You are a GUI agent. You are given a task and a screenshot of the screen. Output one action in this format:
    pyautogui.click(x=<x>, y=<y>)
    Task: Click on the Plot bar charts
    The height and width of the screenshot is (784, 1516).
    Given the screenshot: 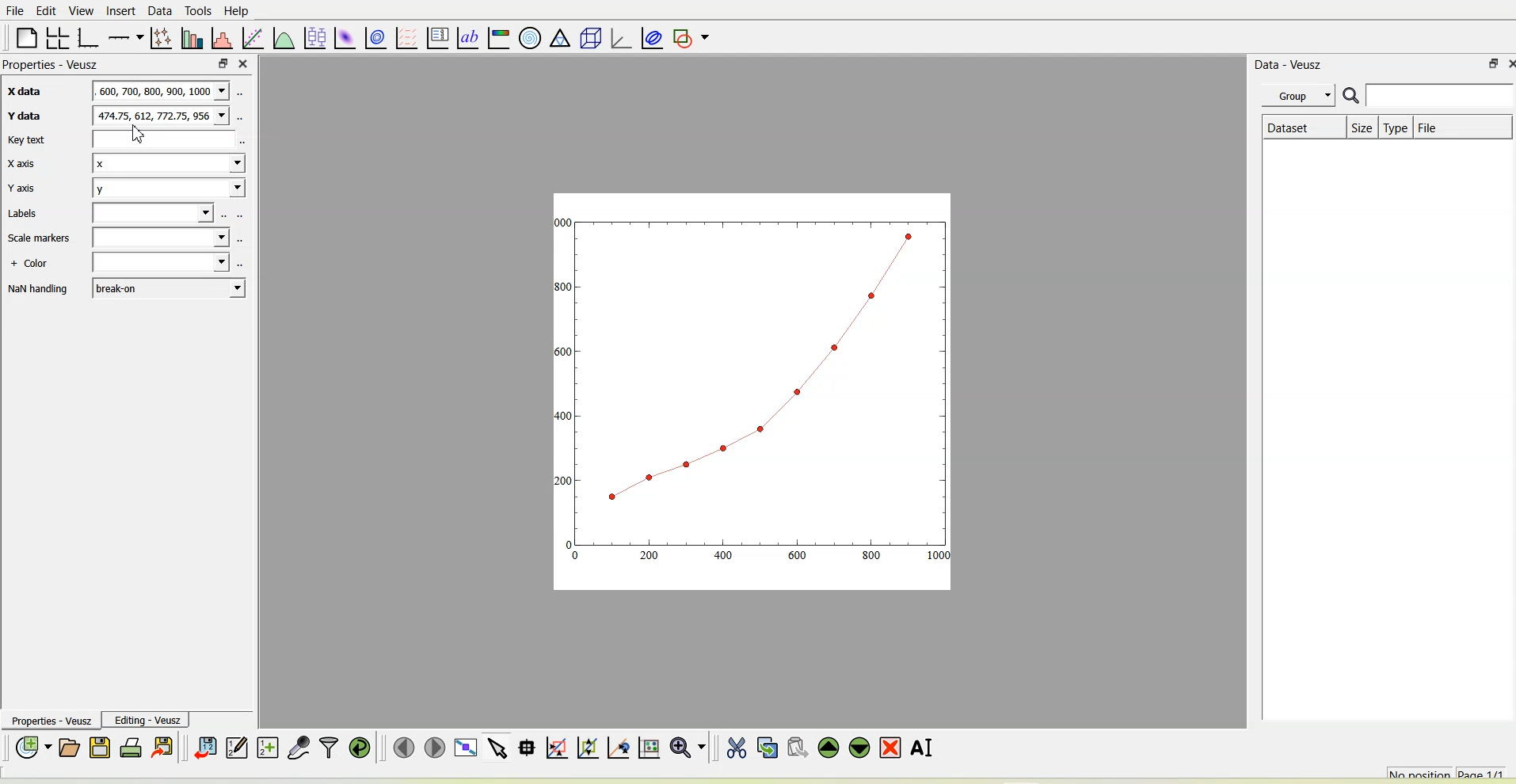 What is the action you would take?
    pyautogui.click(x=192, y=39)
    